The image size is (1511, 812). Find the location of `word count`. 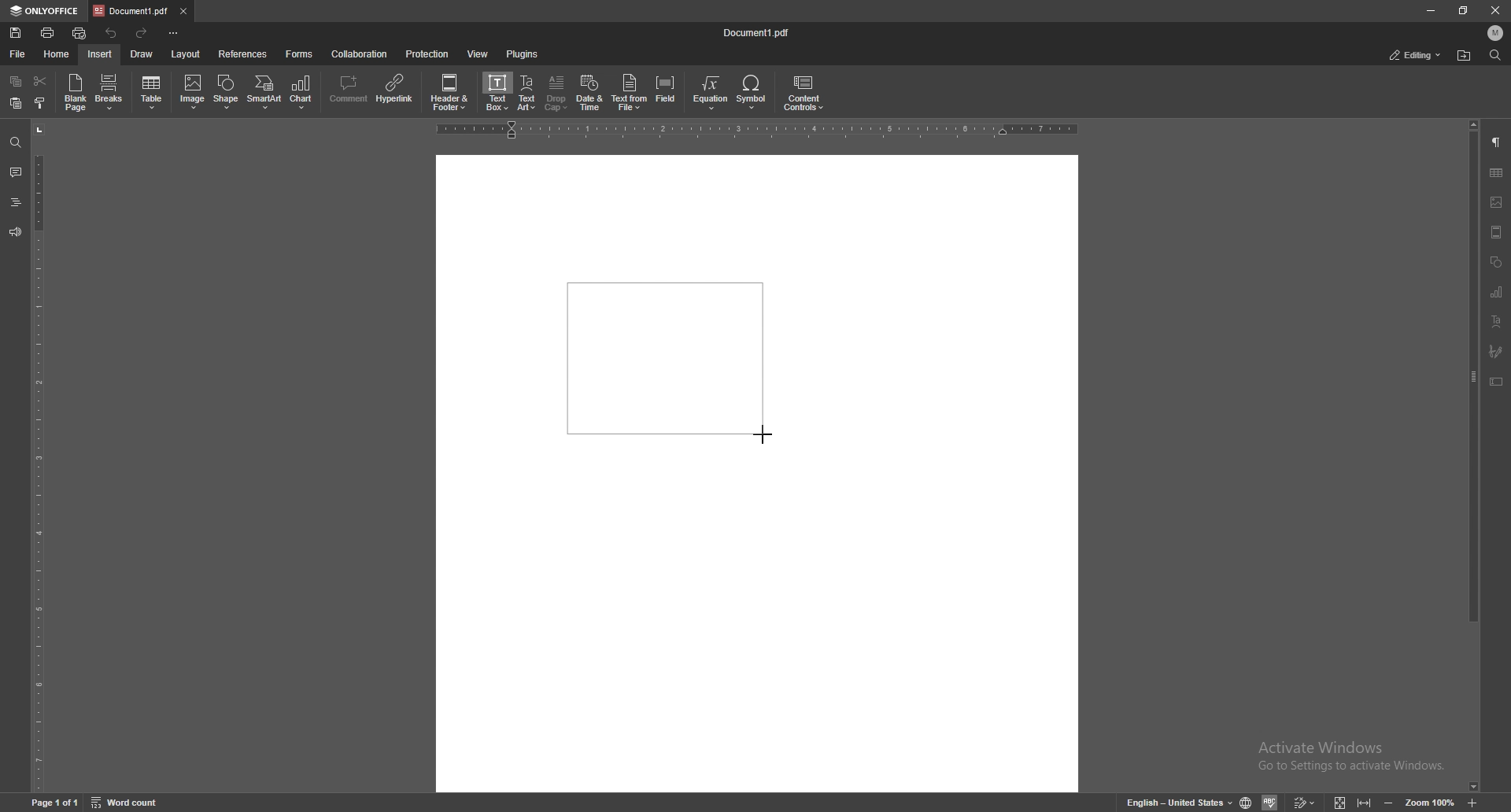

word count is located at coordinates (127, 803).